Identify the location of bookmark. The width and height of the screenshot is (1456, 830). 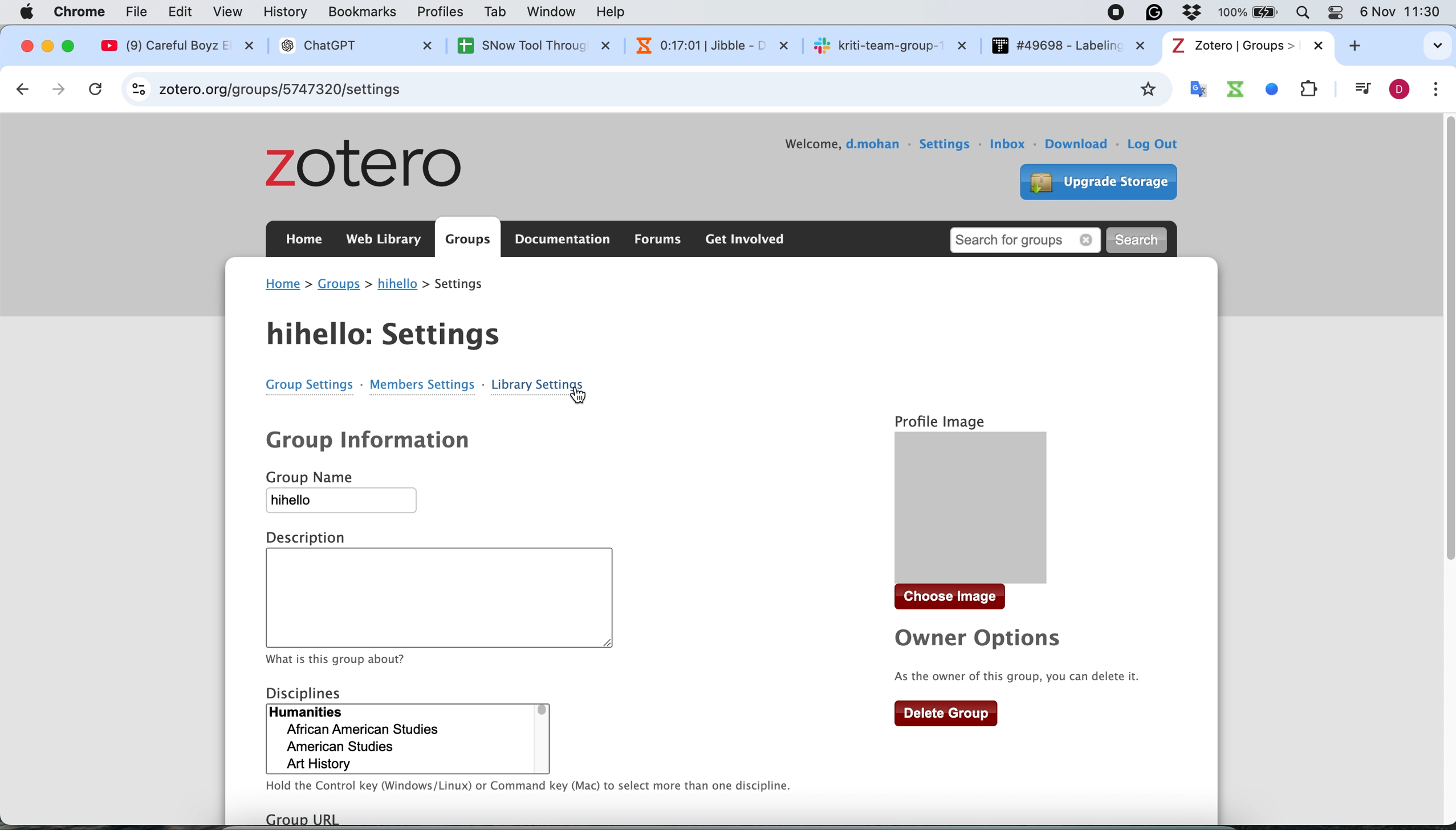
(1146, 89).